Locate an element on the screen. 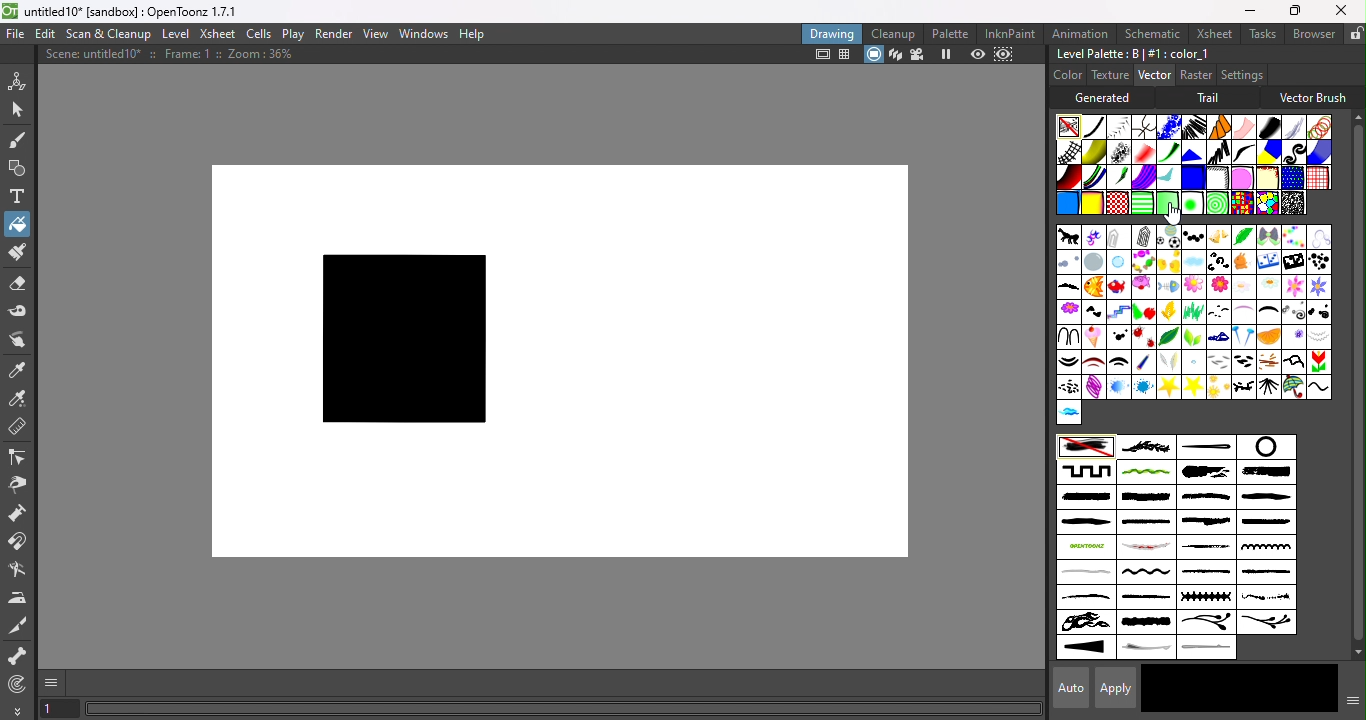 Image resolution: width=1366 pixels, height=720 pixels. Scan & Cleanup is located at coordinates (109, 33).